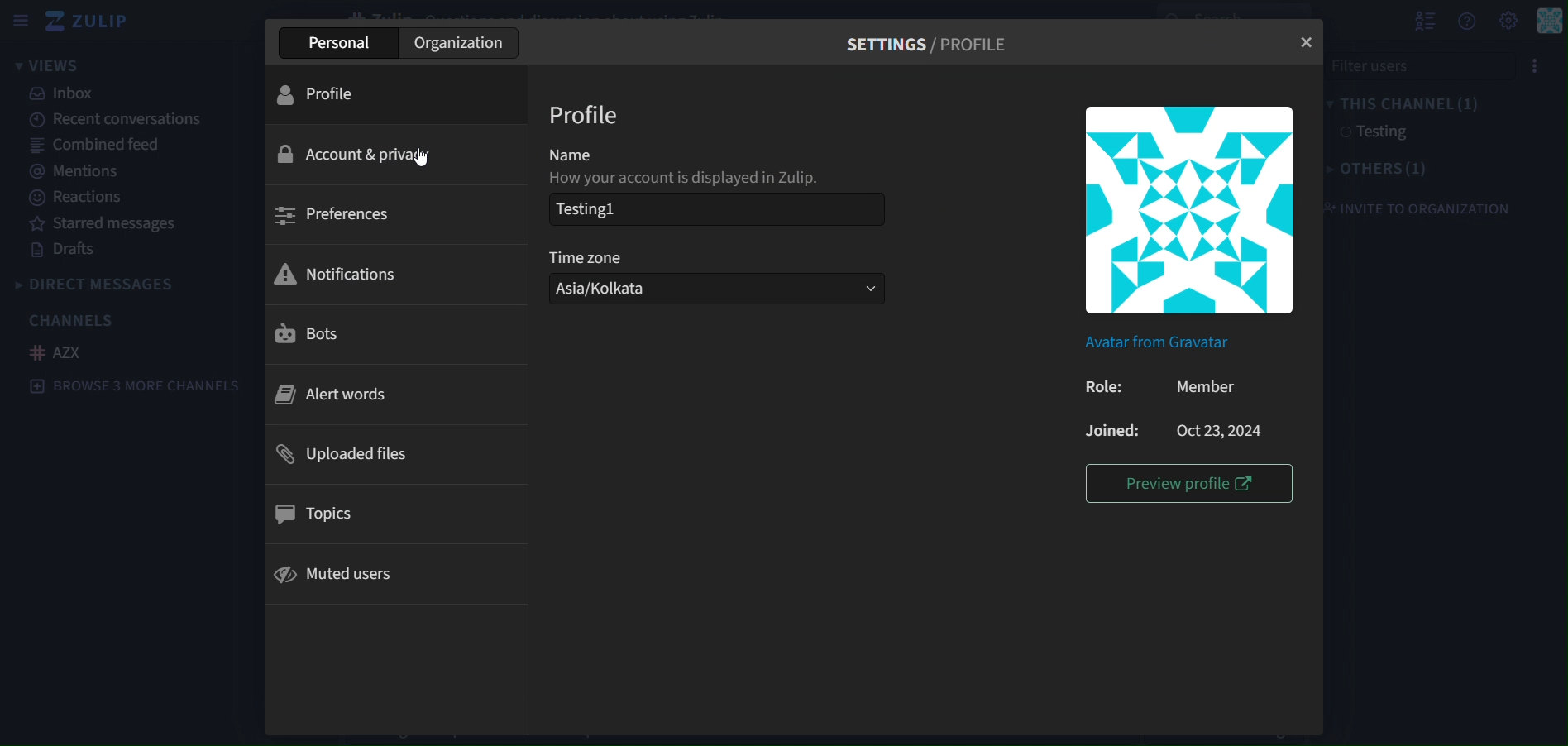 The image size is (1568, 746). What do you see at coordinates (335, 213) in the screenshot?
I see `preferences` at bounding box center [335, 213].